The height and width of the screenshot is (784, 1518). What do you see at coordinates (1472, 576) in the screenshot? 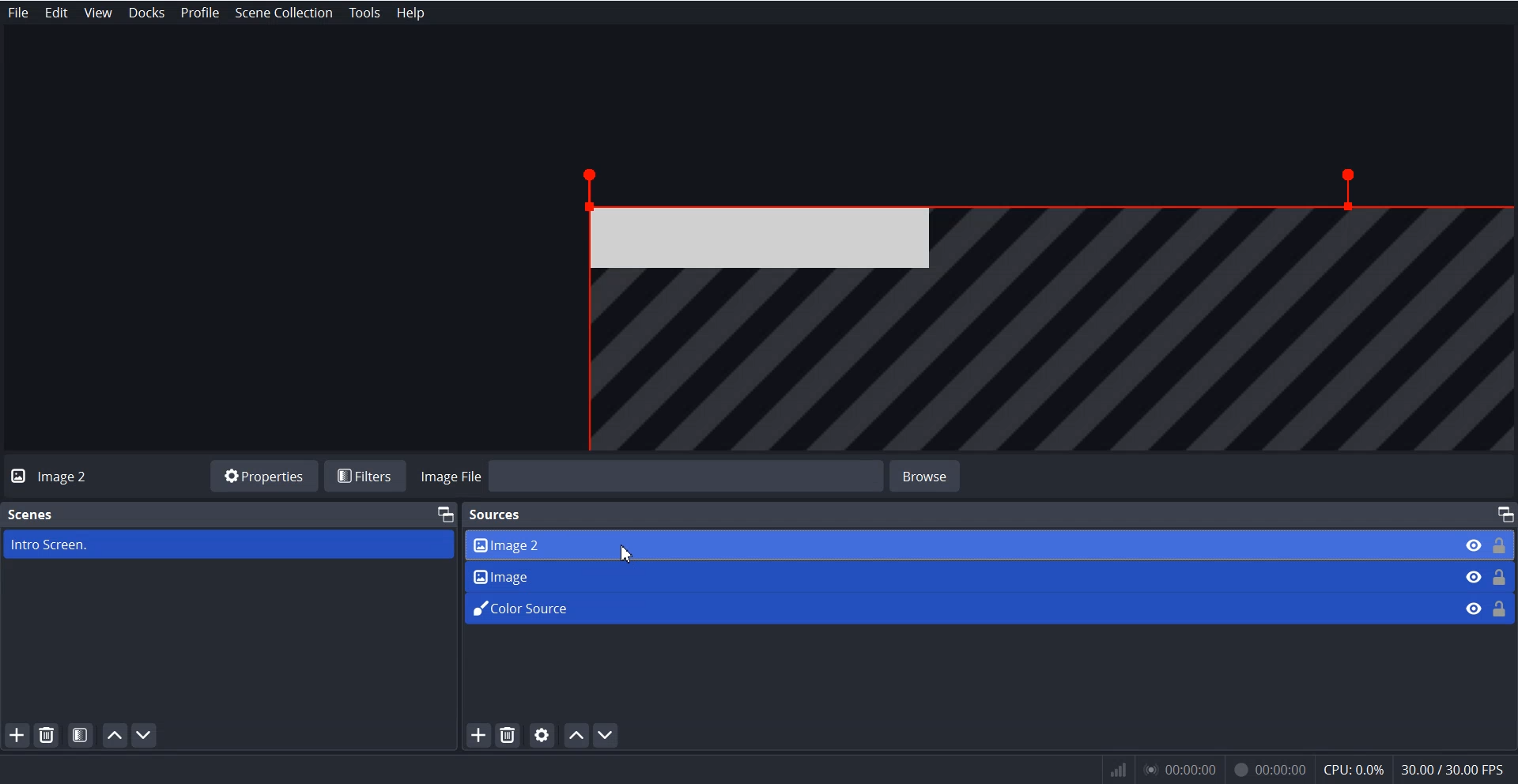
I see `Eye` at bounding box center [1472, 576].